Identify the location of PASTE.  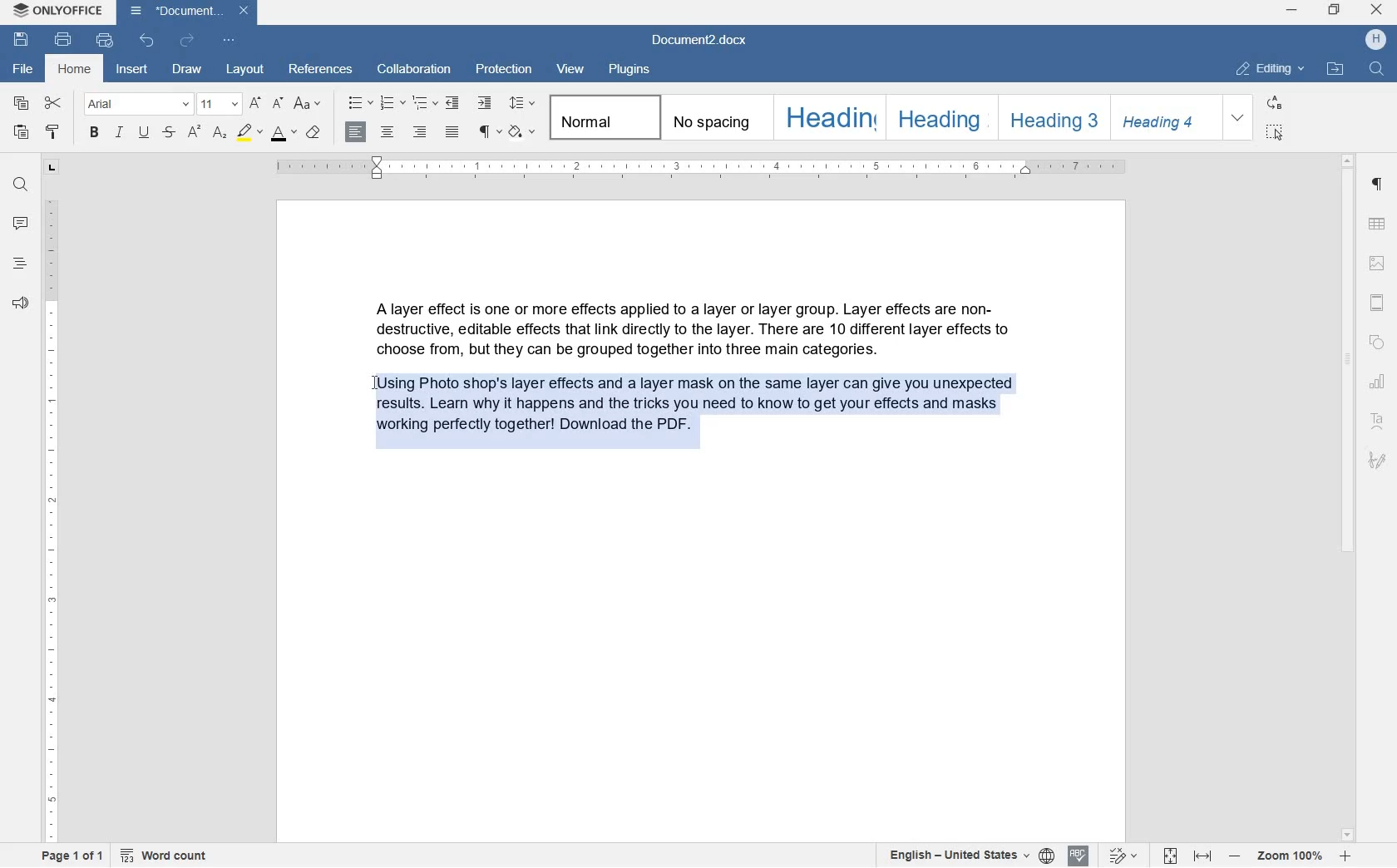
(23, 134).